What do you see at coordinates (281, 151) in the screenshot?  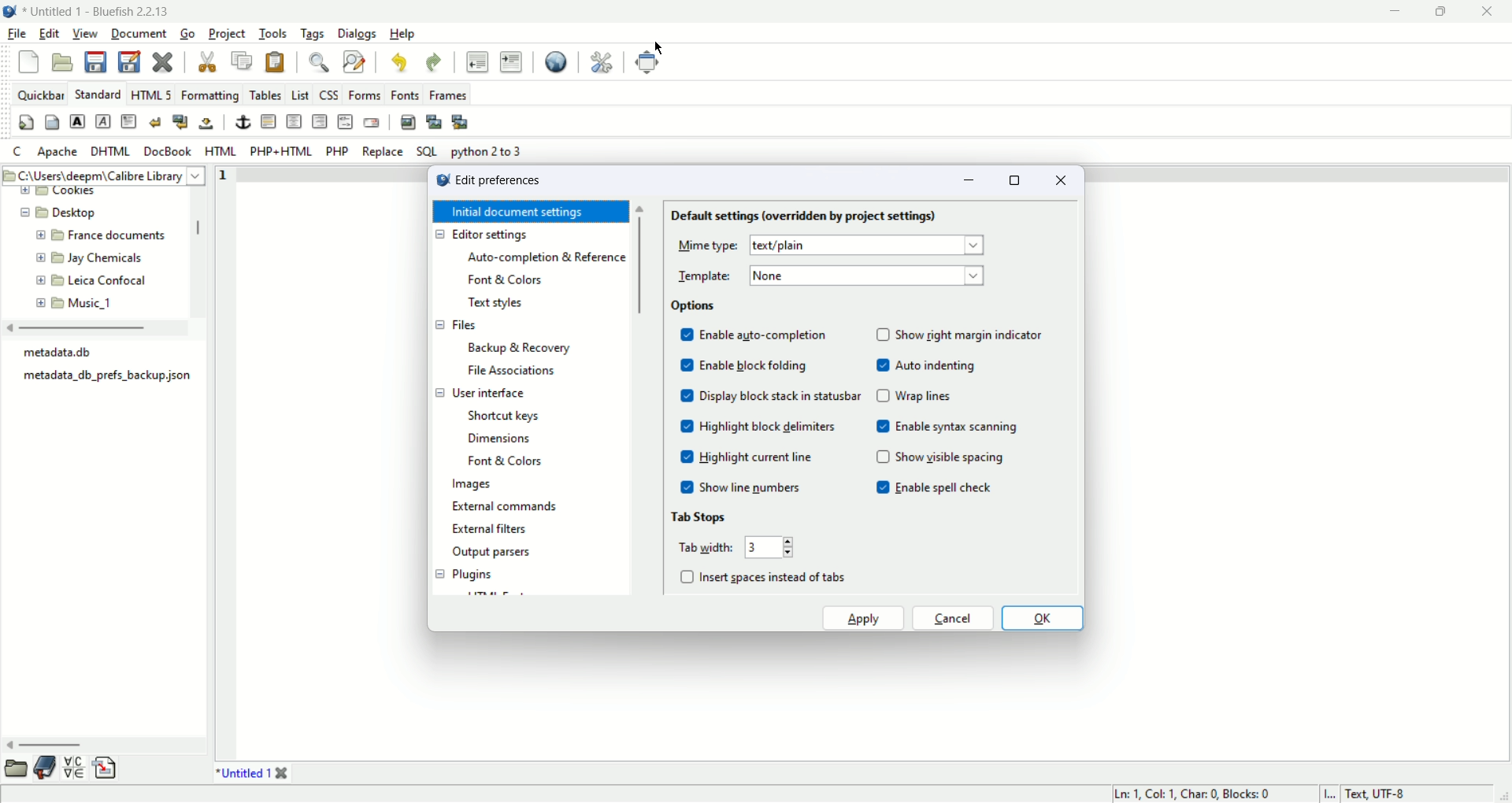 I see `PHP+HTML` at bounding box center [281, 151].